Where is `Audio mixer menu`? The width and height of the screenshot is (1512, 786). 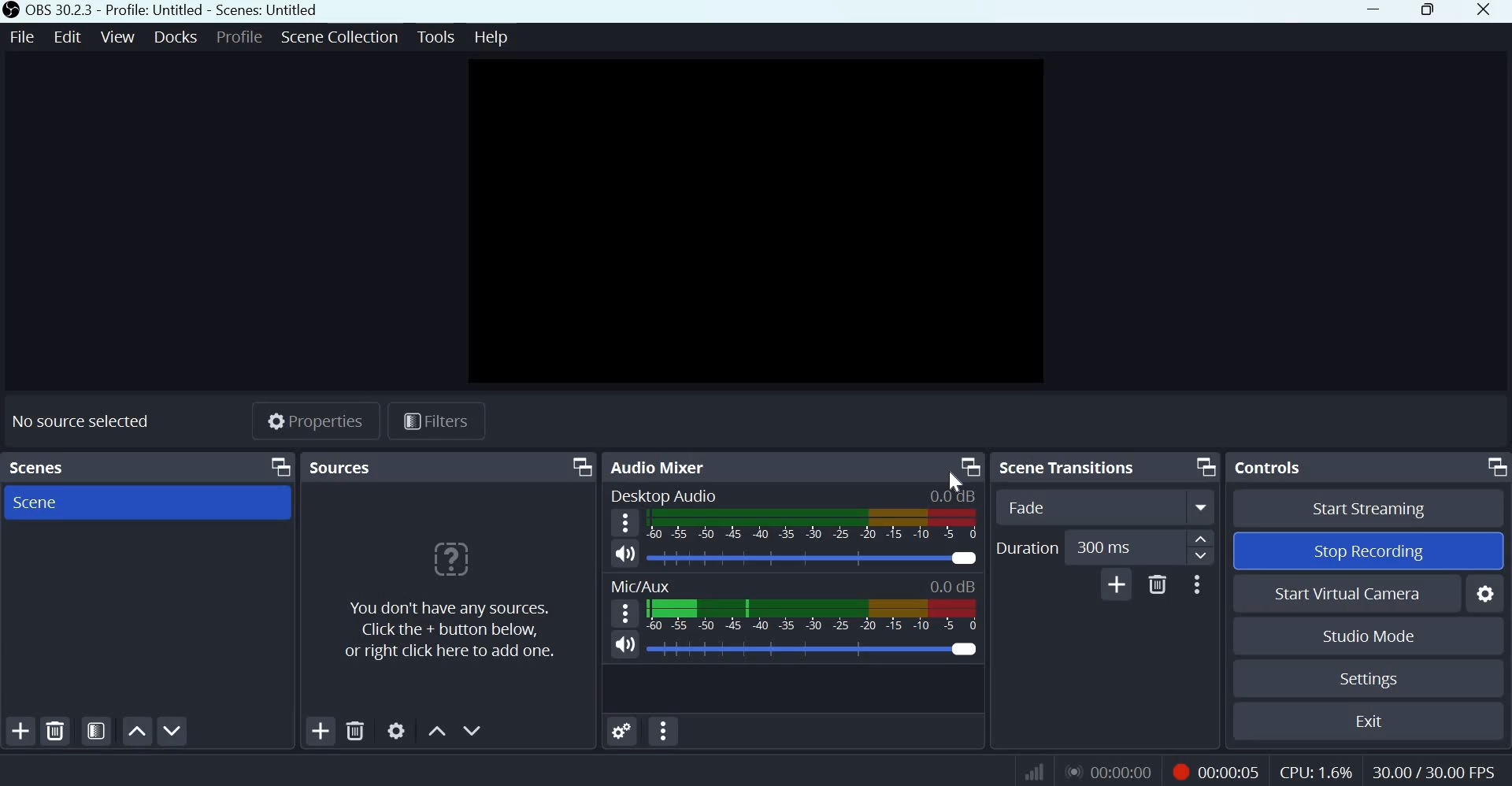 Audio mixer menu is located at coordinates (665, 731).